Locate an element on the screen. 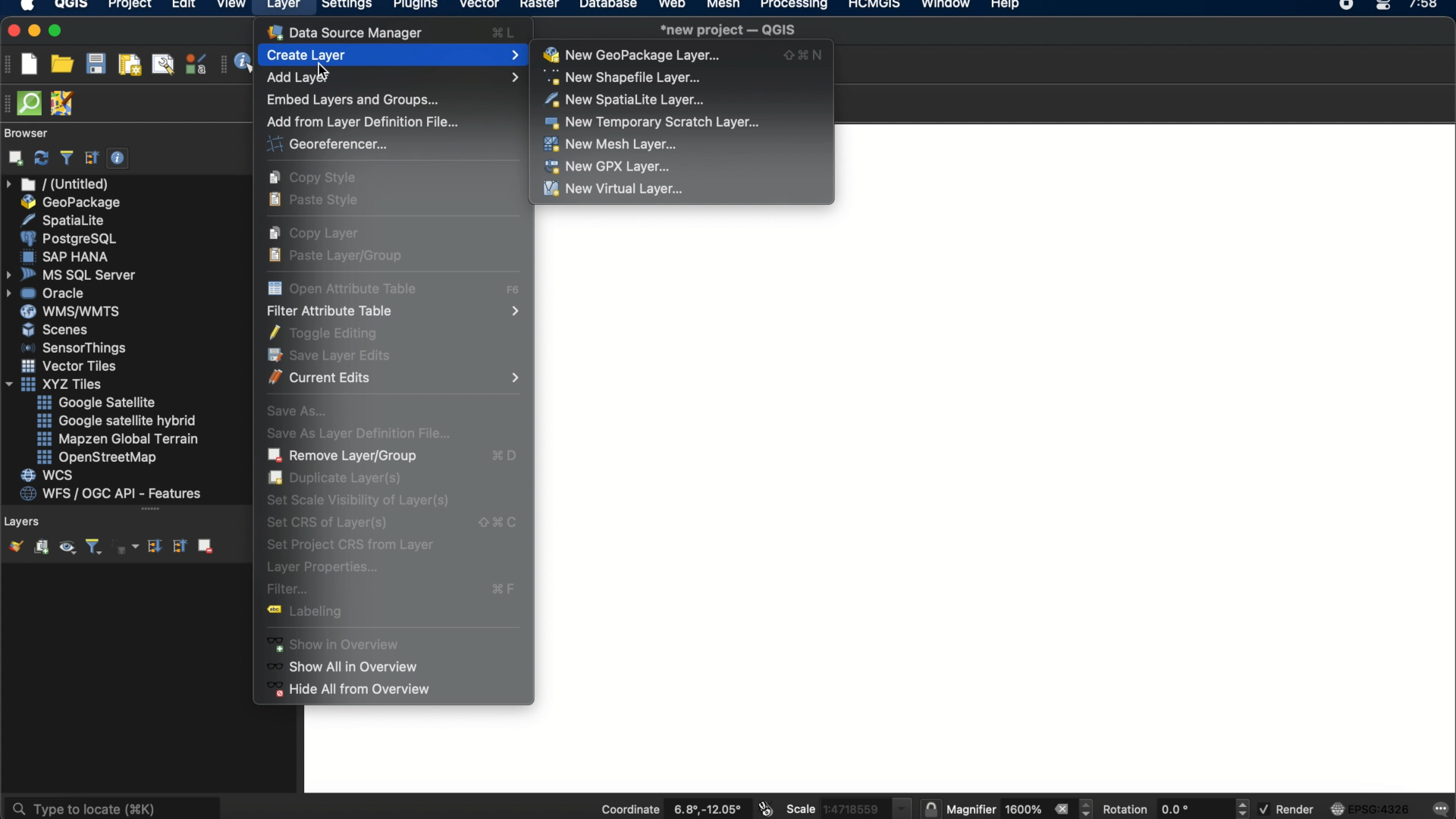 This screenshot has width=1456, height=819. identify features is located at coordinates (240, 64).